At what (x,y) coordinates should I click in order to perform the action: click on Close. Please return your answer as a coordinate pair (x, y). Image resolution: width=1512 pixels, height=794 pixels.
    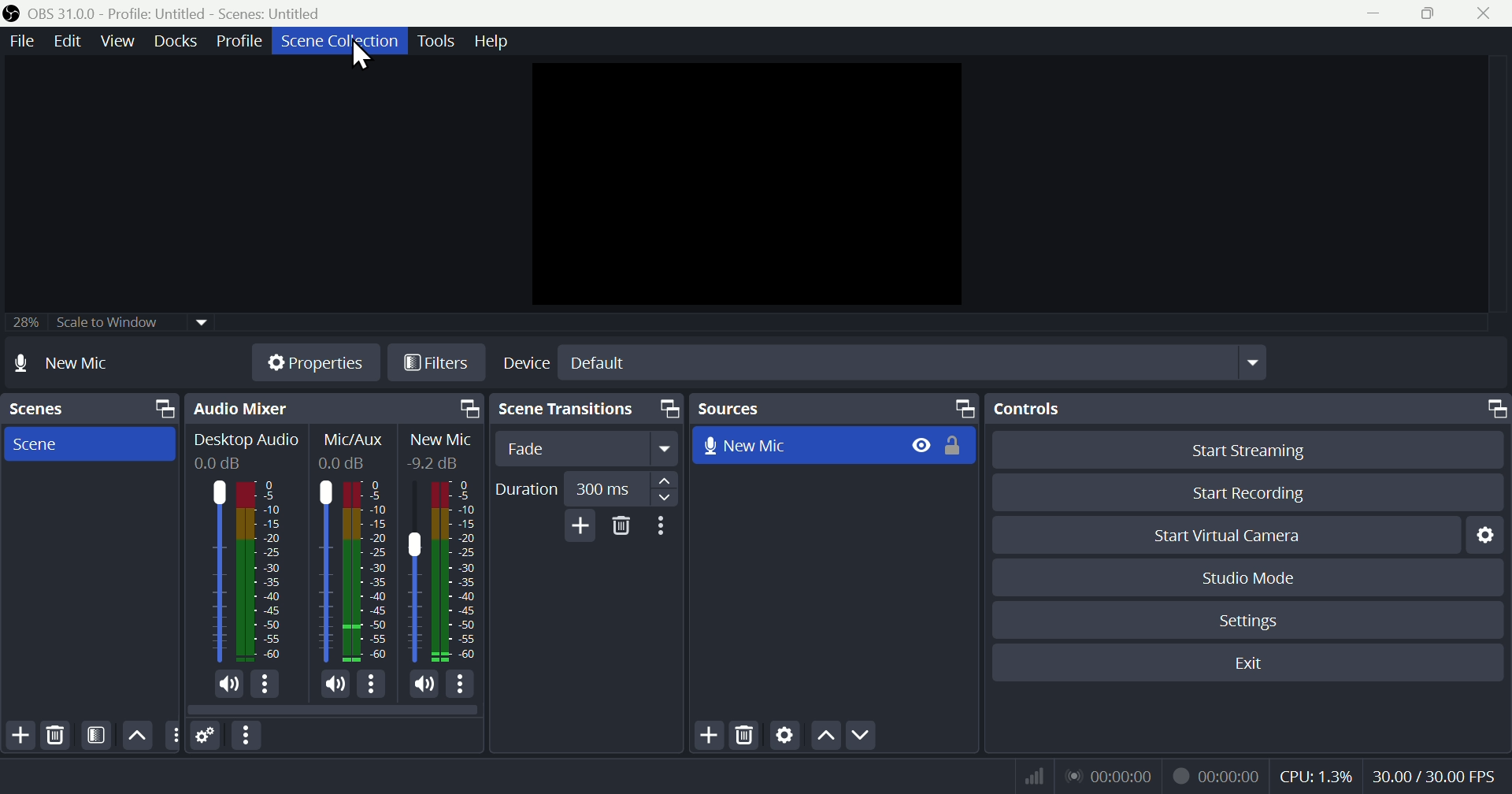
    Looking at the image, I should click on (1488, 14).